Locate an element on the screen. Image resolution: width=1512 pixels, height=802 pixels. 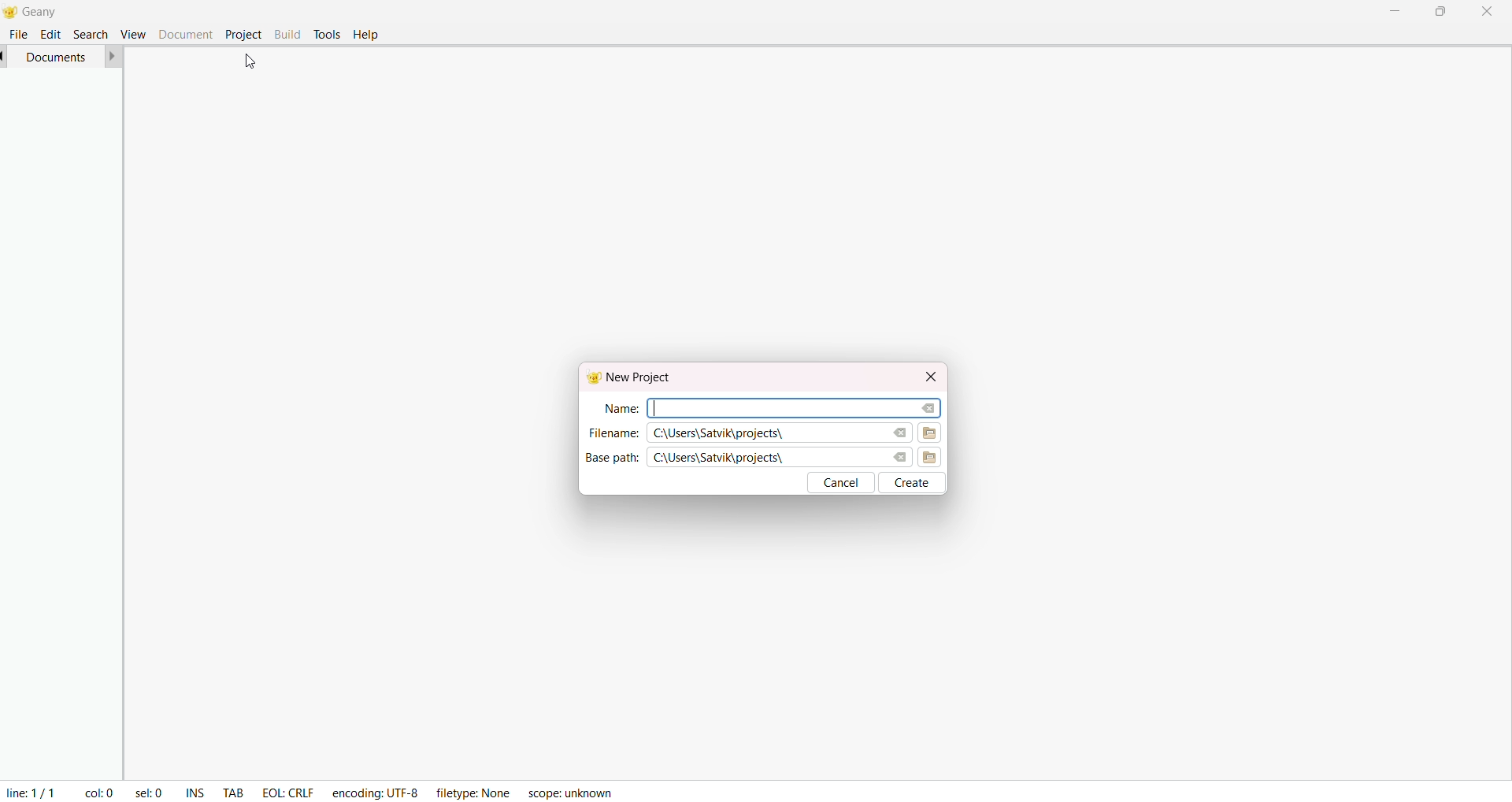
Name: is located at coordinates (618, 407).